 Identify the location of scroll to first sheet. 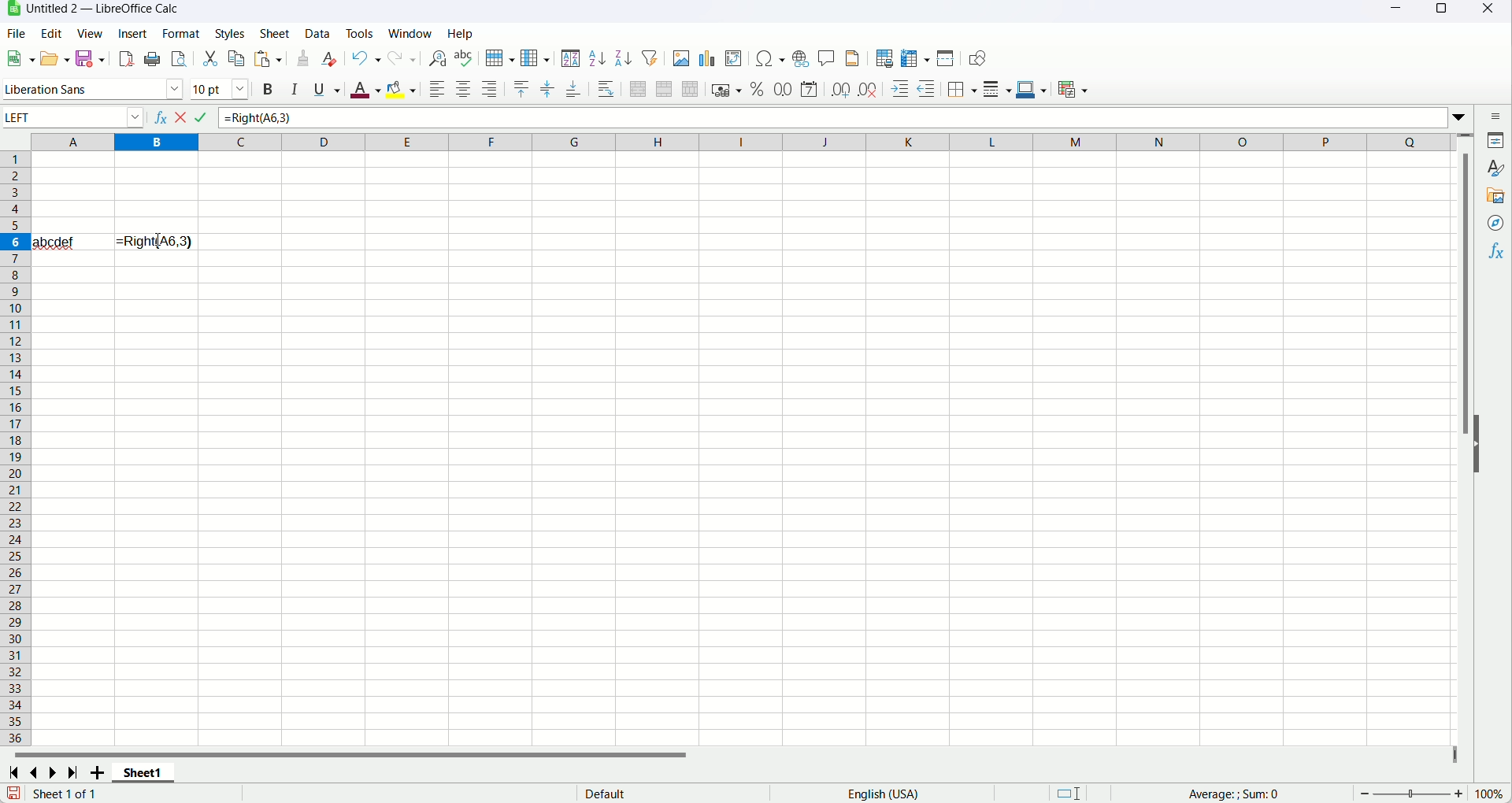
(17, 771).